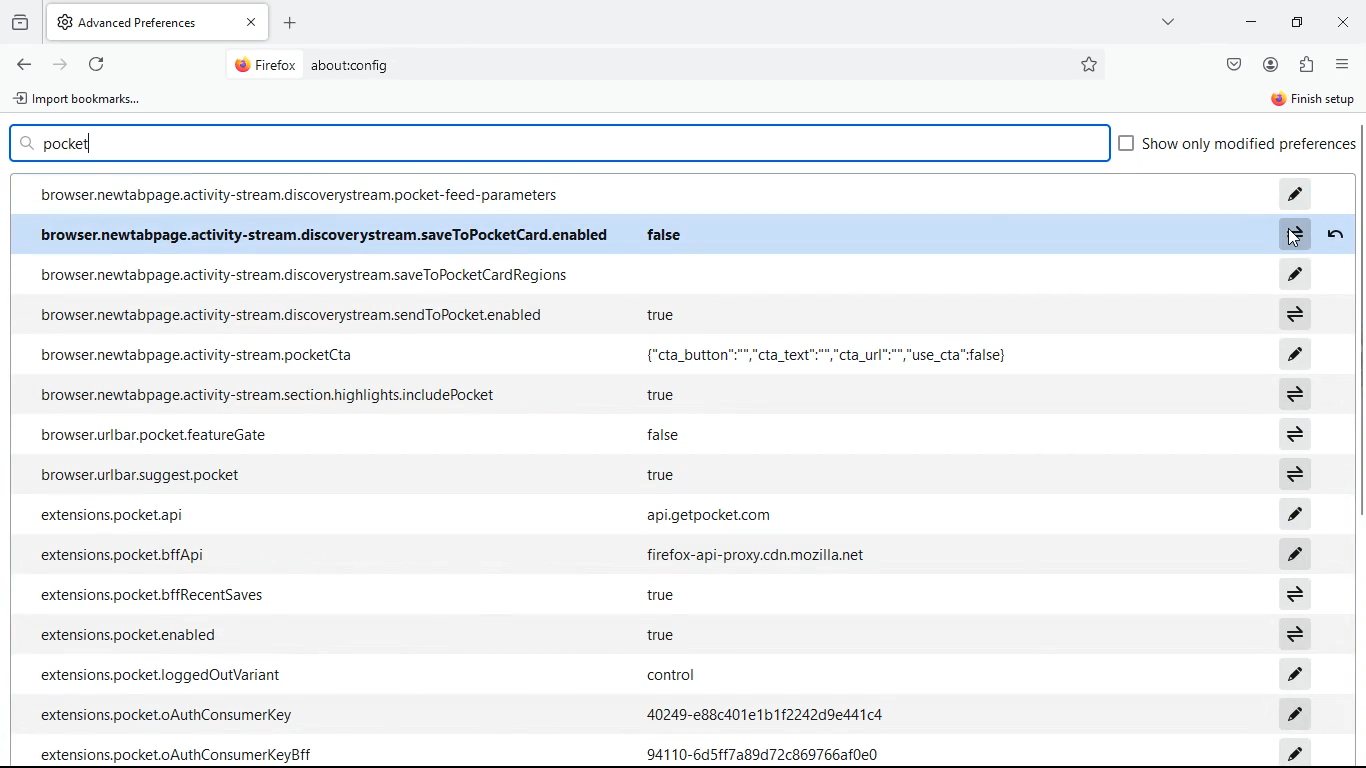  Describe the element at coordinates (1343, 67) in the screenshot. I see `options` at that location.